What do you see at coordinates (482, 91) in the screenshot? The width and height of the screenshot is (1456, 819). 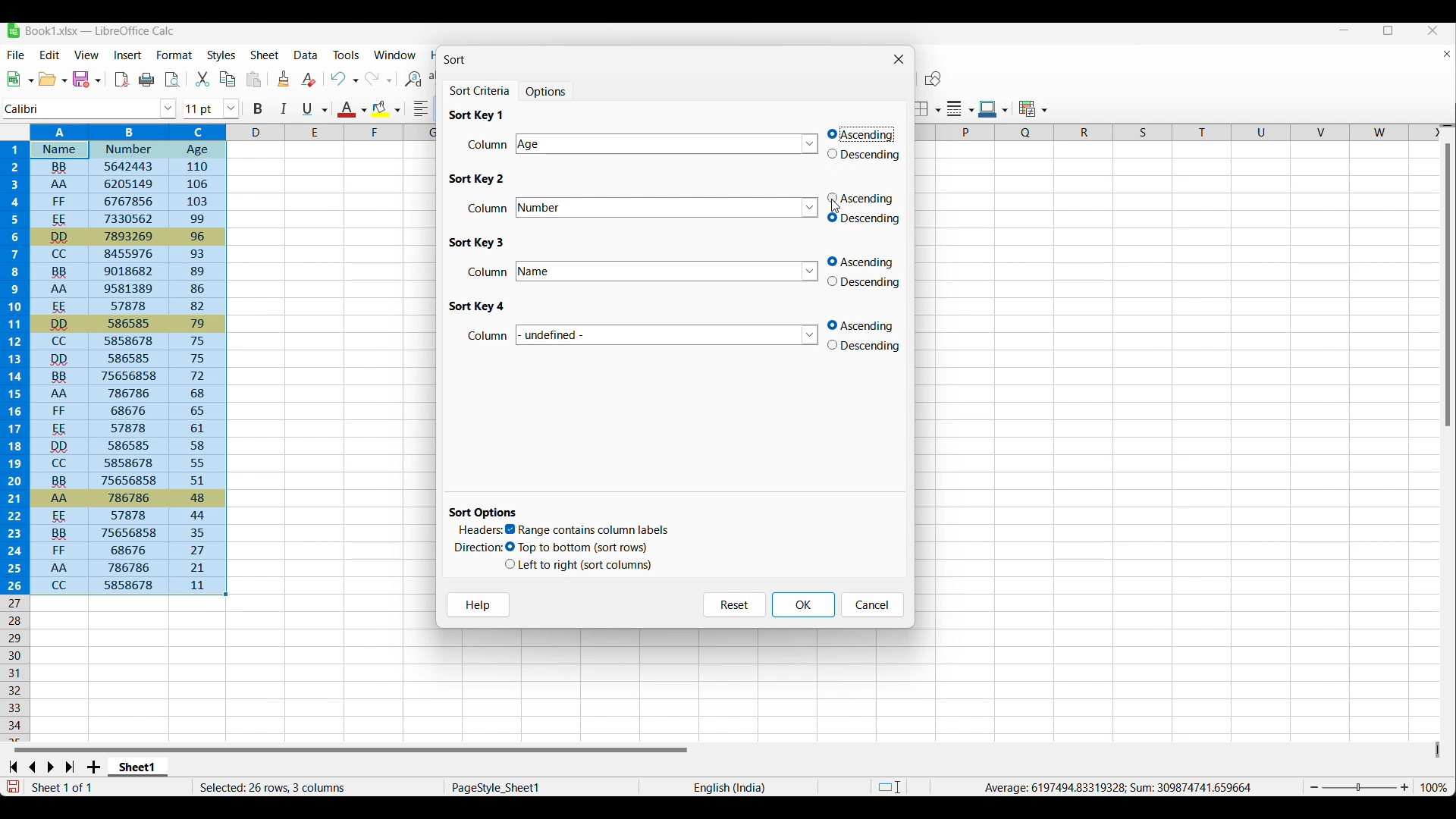 I see `Sort criteria tab, current selection` at bounding box center [482, 91].